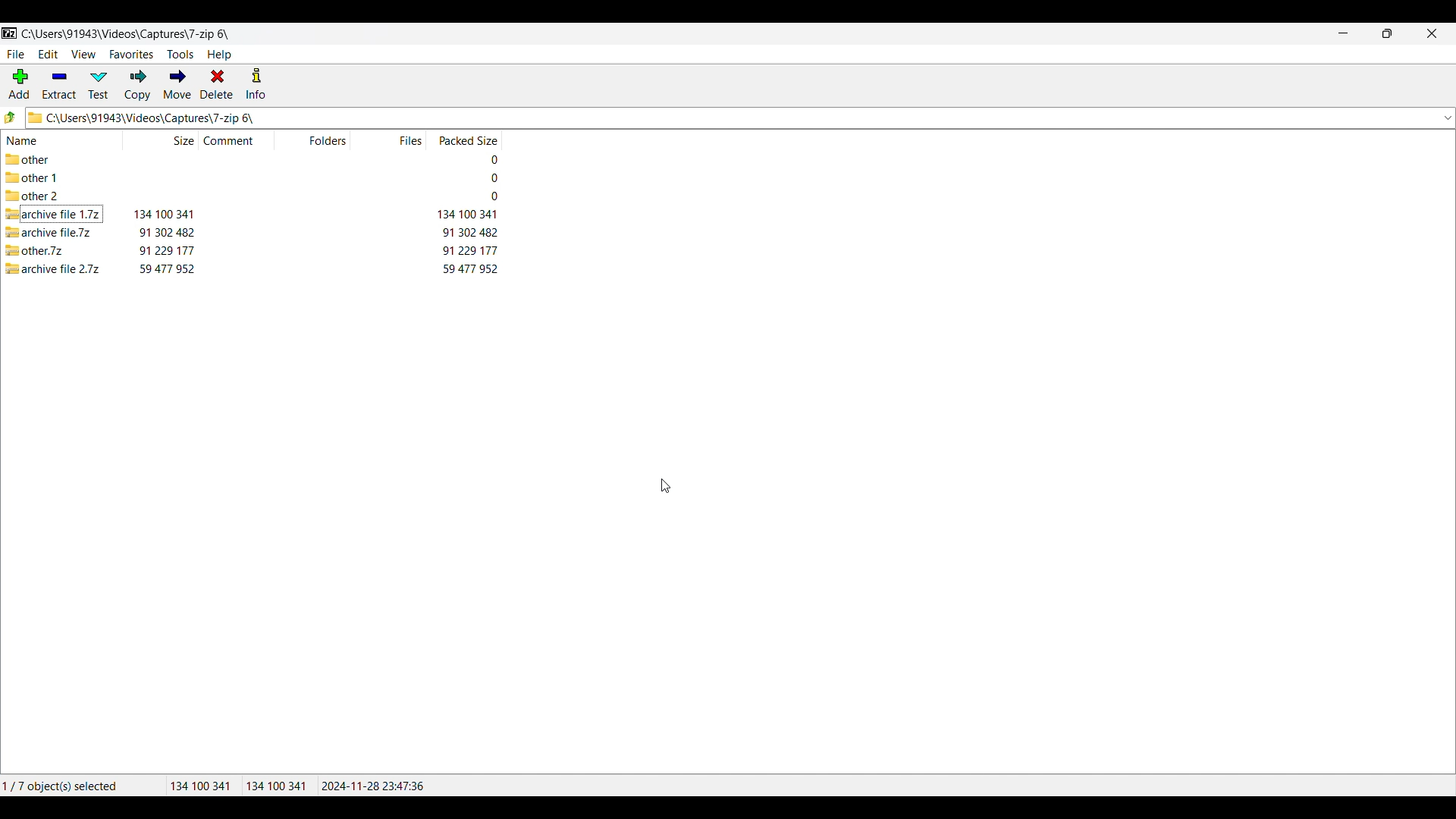  I want to click on size, so click(166, 231).